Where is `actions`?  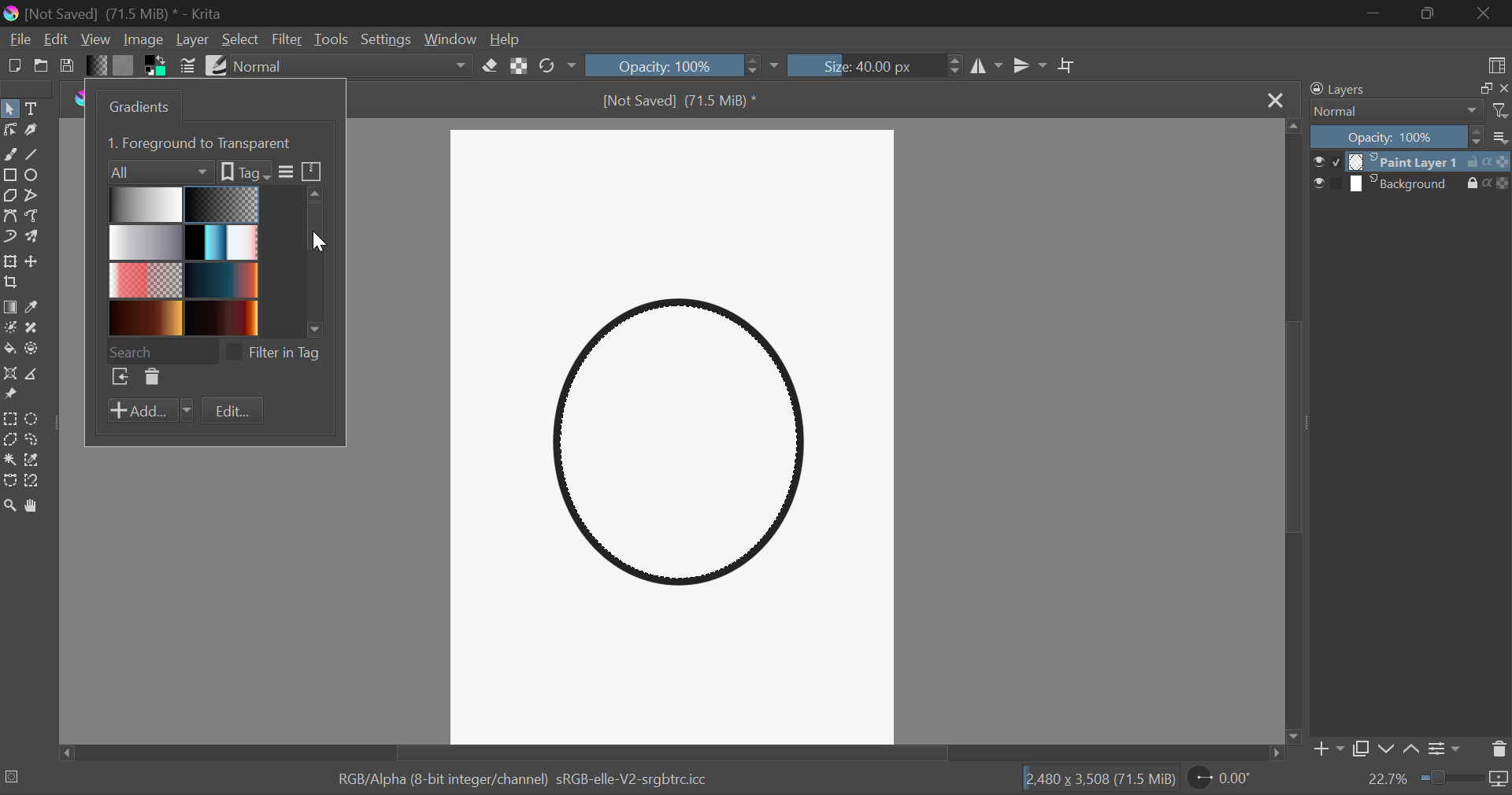
actions is located at coordinates (1488, 162).